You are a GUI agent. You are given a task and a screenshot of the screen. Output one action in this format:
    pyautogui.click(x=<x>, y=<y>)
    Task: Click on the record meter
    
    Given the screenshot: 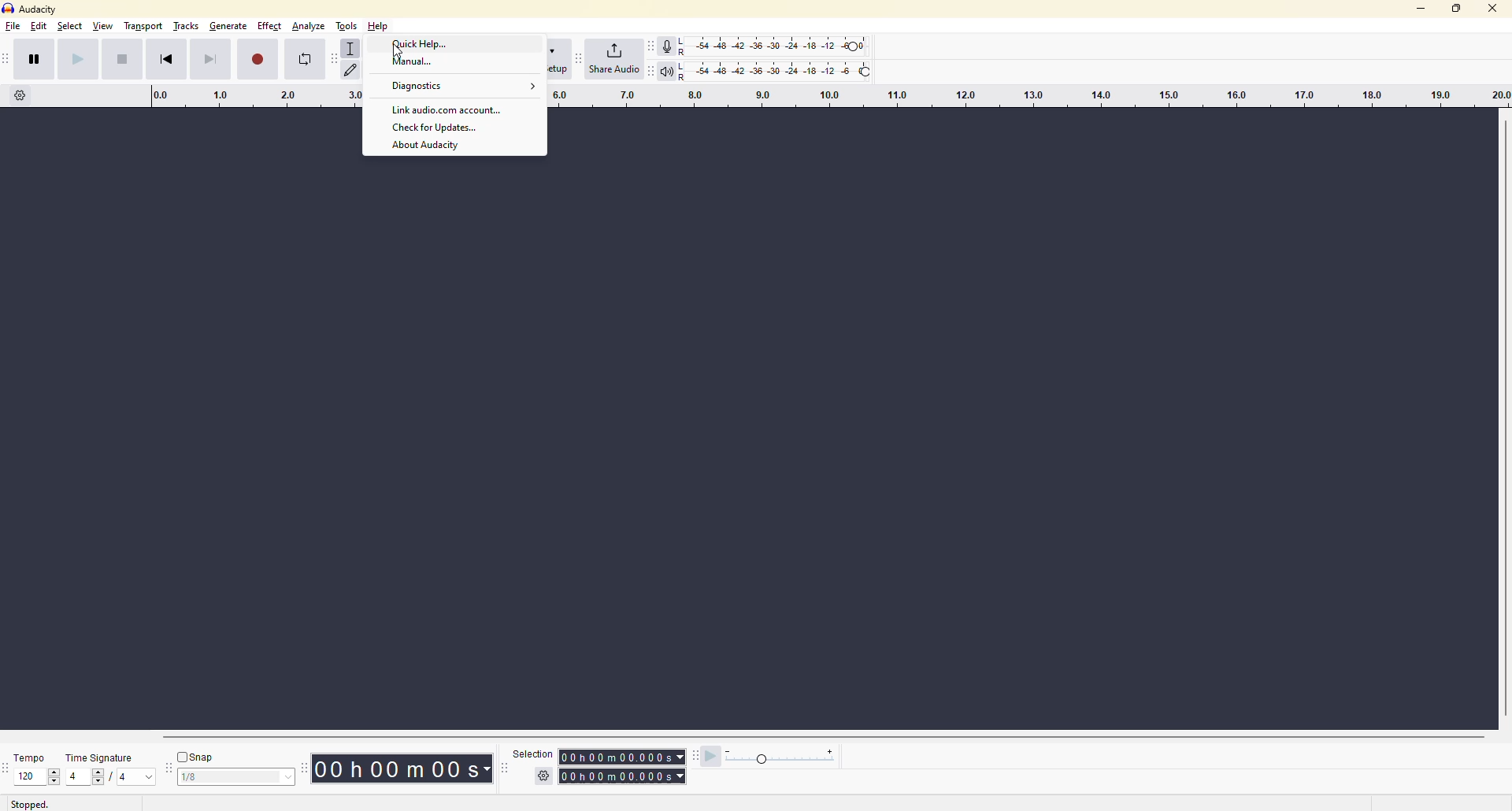 What is the action you would take?
    pyautogui.click(x=668, y=46)
    